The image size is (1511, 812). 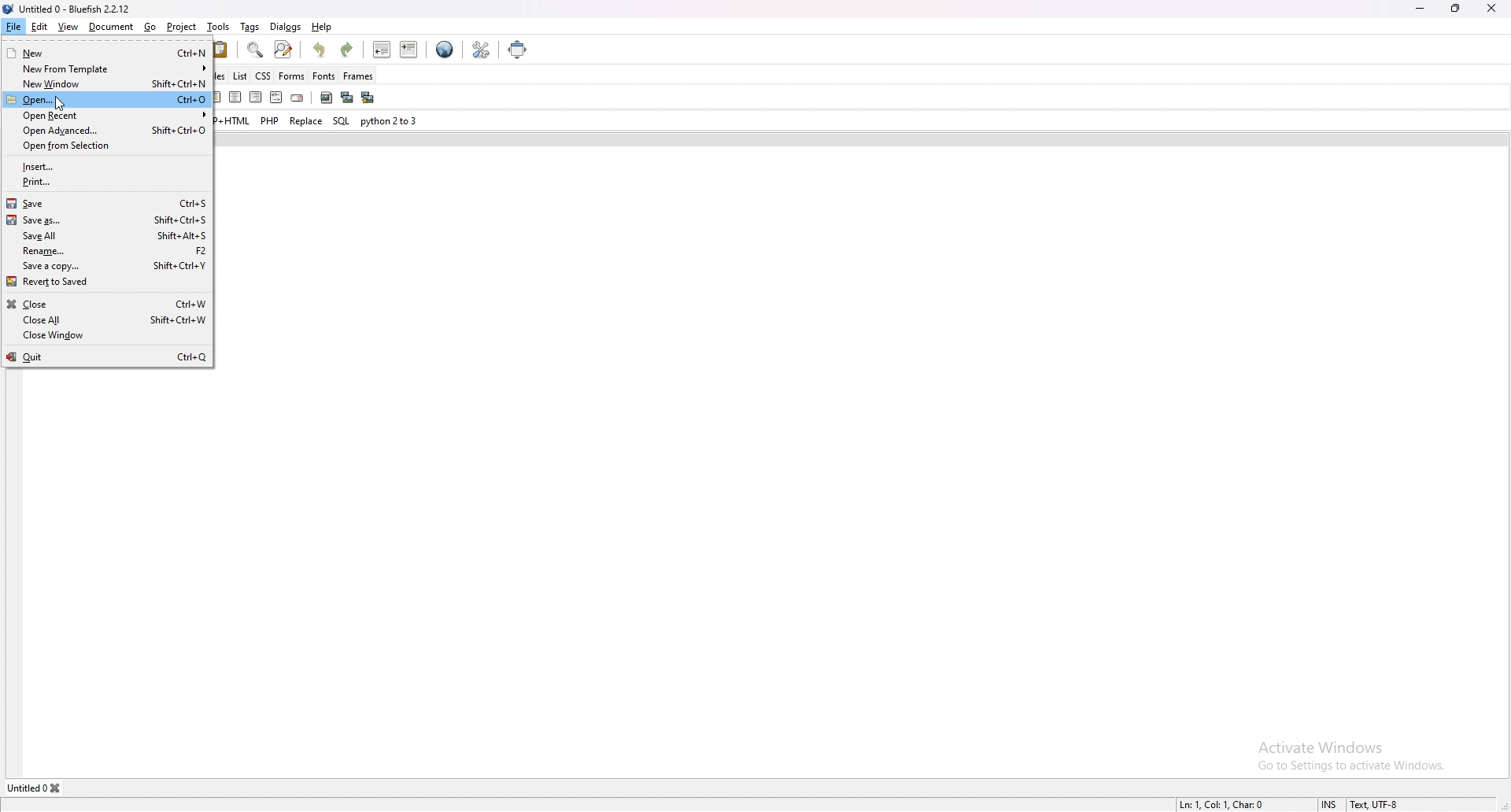 I want to click on Untitled 0, so click(x=26, y=788).